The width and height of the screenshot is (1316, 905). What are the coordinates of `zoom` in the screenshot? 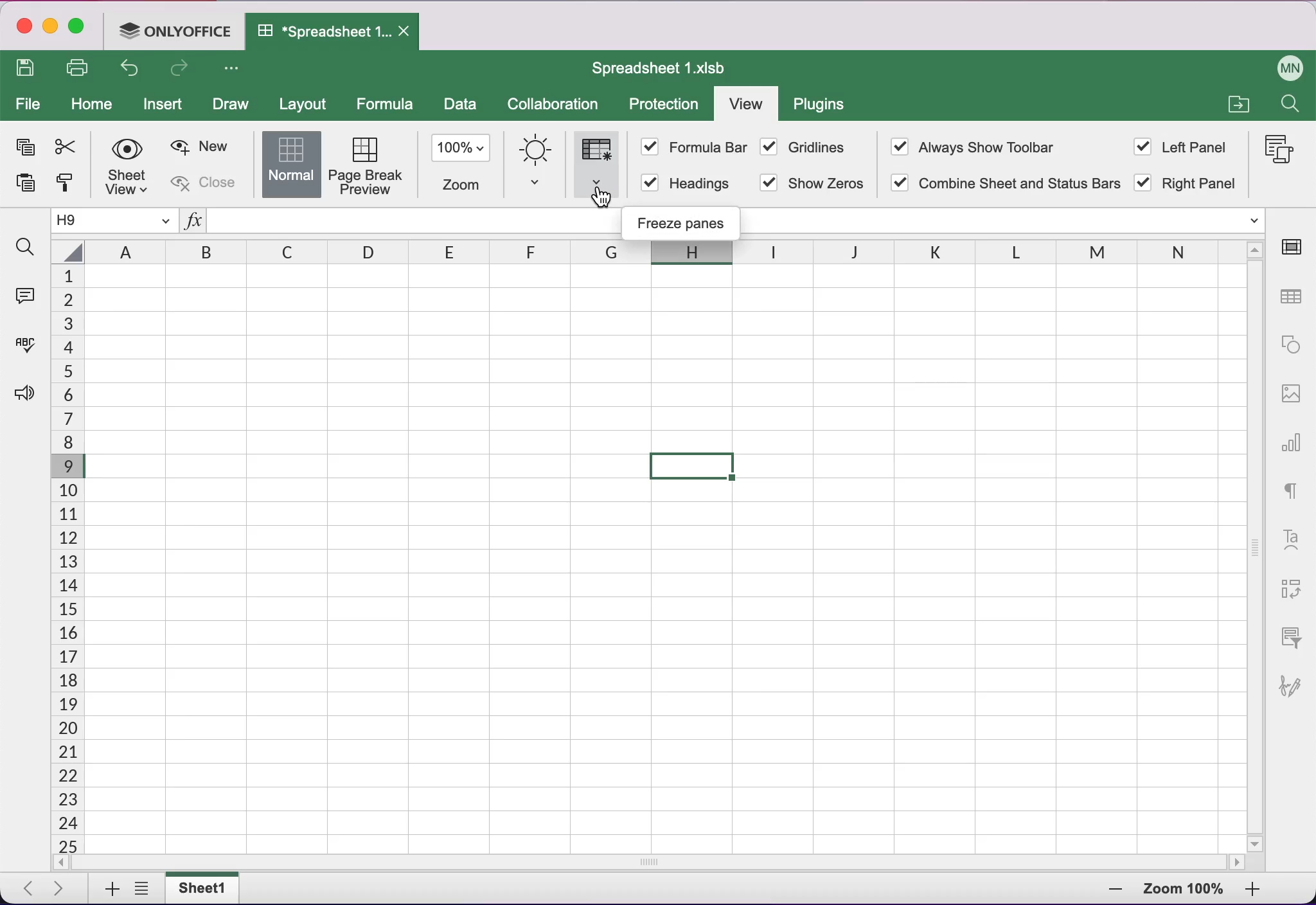 It's located at (1183, 889).